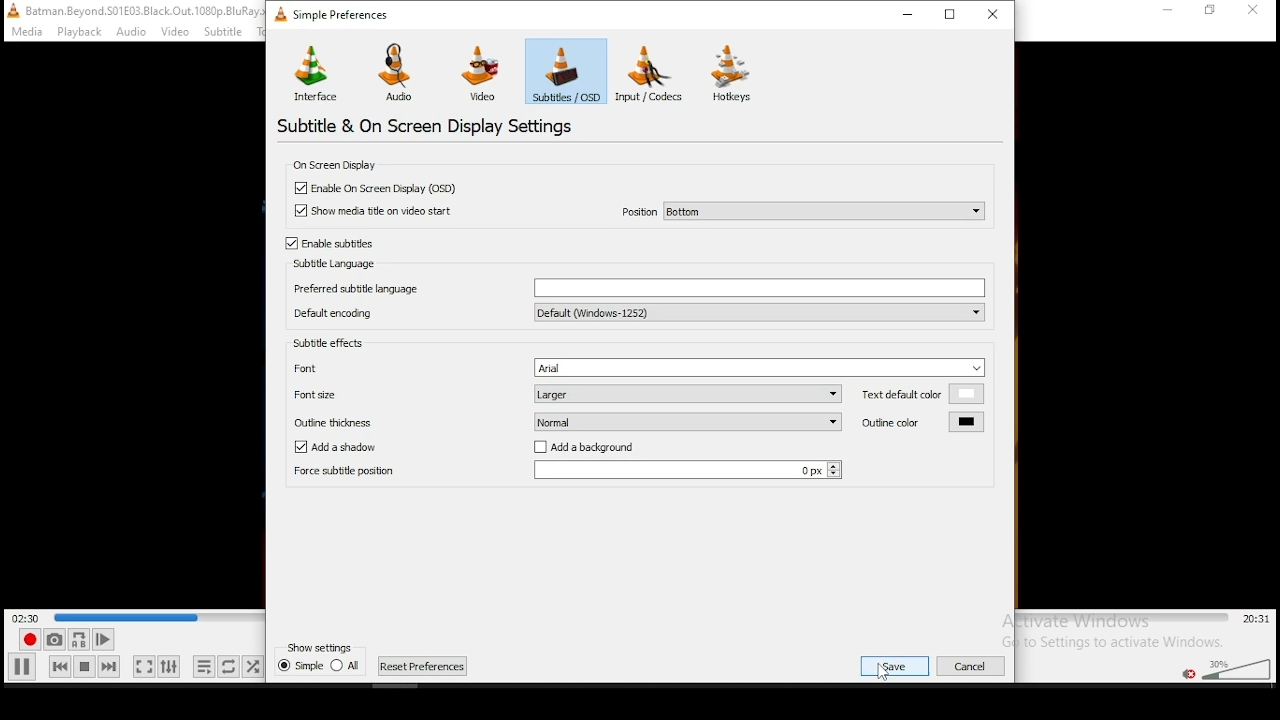 The image size is (1280, 720). What do you see at coordinates (1190, 674) in the screenshot?
I see `mute/unmute` at bounding box center [1190, 674].